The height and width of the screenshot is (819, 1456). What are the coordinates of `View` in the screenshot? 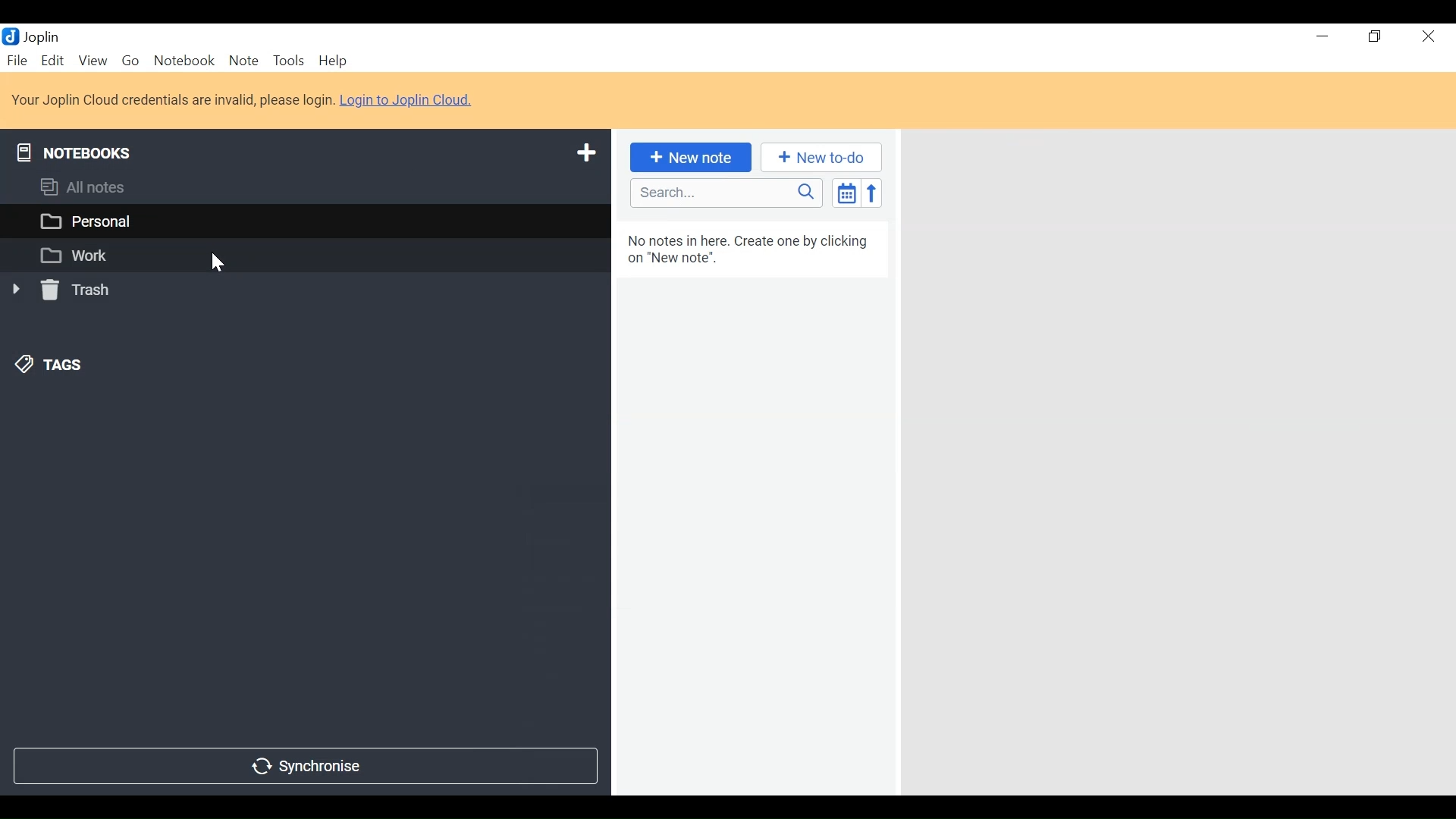 It's located at (93, 61).